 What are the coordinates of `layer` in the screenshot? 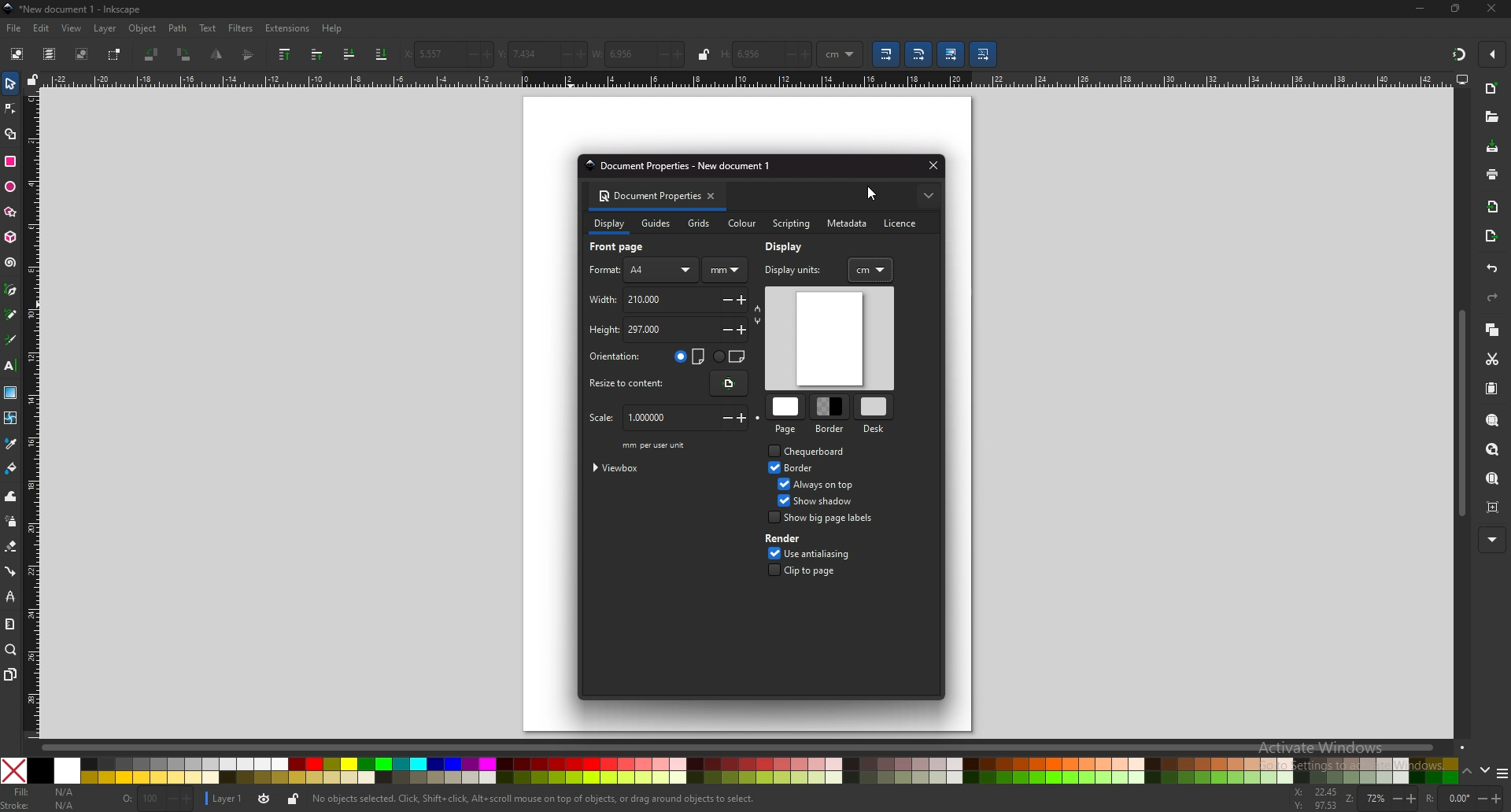 It's located at (107, 29).